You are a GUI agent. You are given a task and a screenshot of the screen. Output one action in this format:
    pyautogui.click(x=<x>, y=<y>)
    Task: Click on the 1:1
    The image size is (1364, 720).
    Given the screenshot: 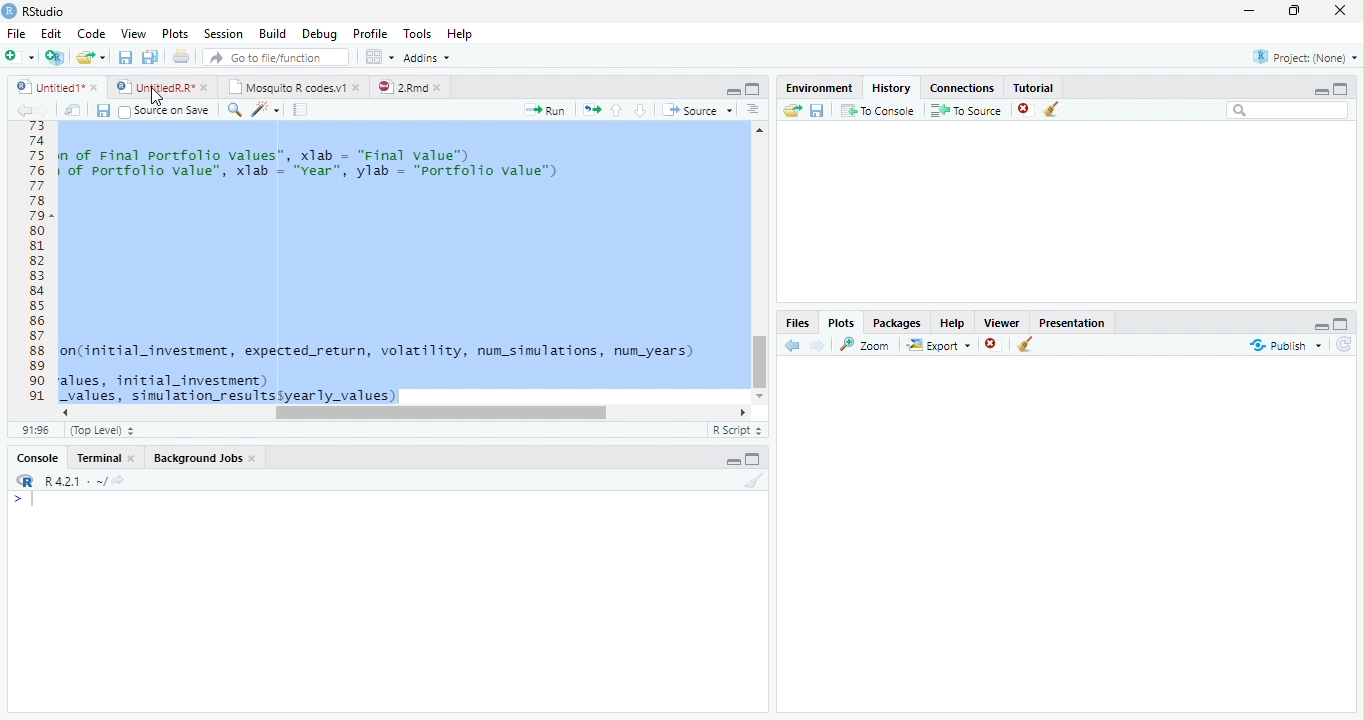 What is the action you would take?
    pyautogui.click(x=34, y=430)
    